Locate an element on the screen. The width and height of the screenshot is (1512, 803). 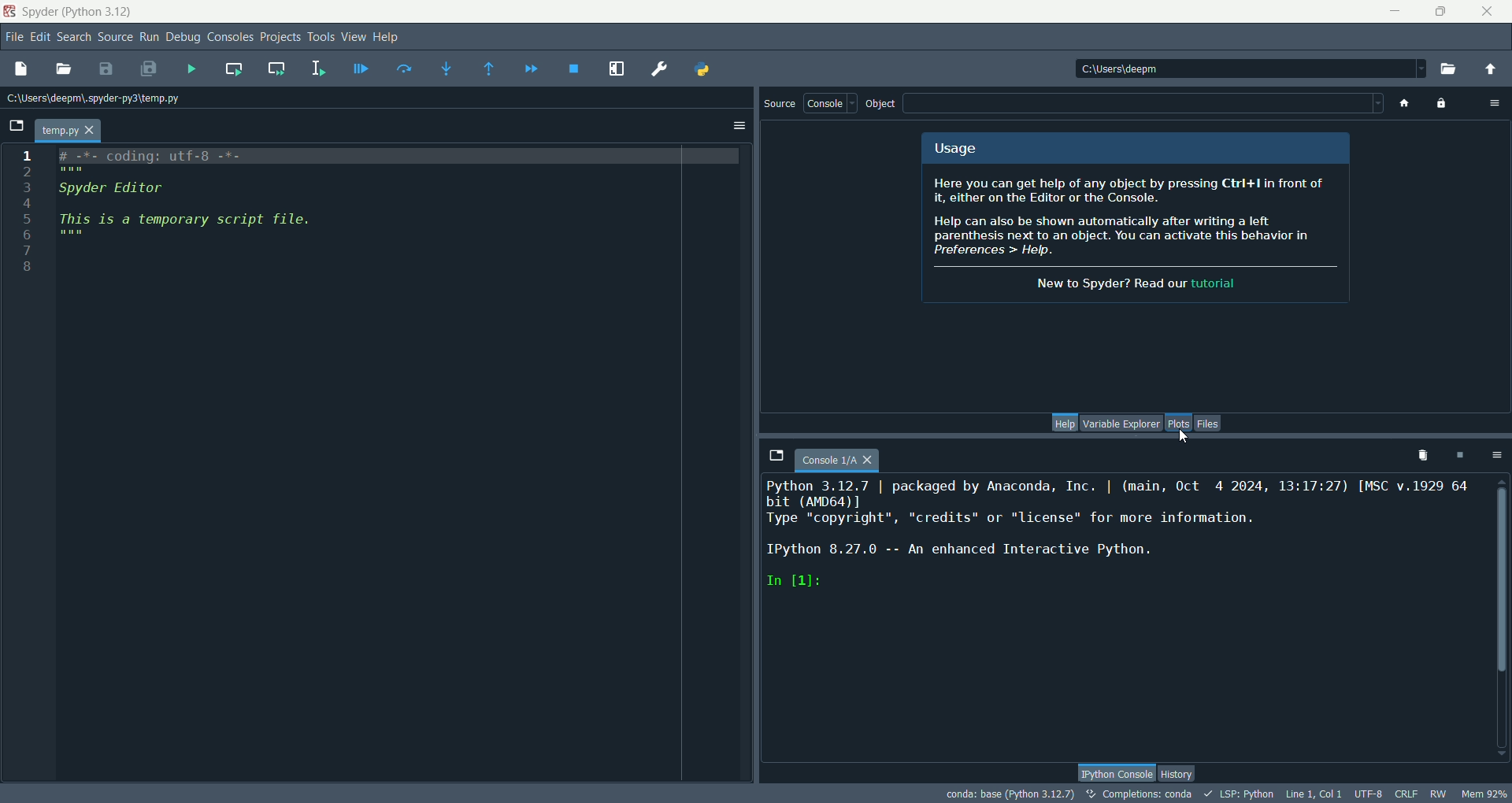
location is located at coordinates (97, 99).